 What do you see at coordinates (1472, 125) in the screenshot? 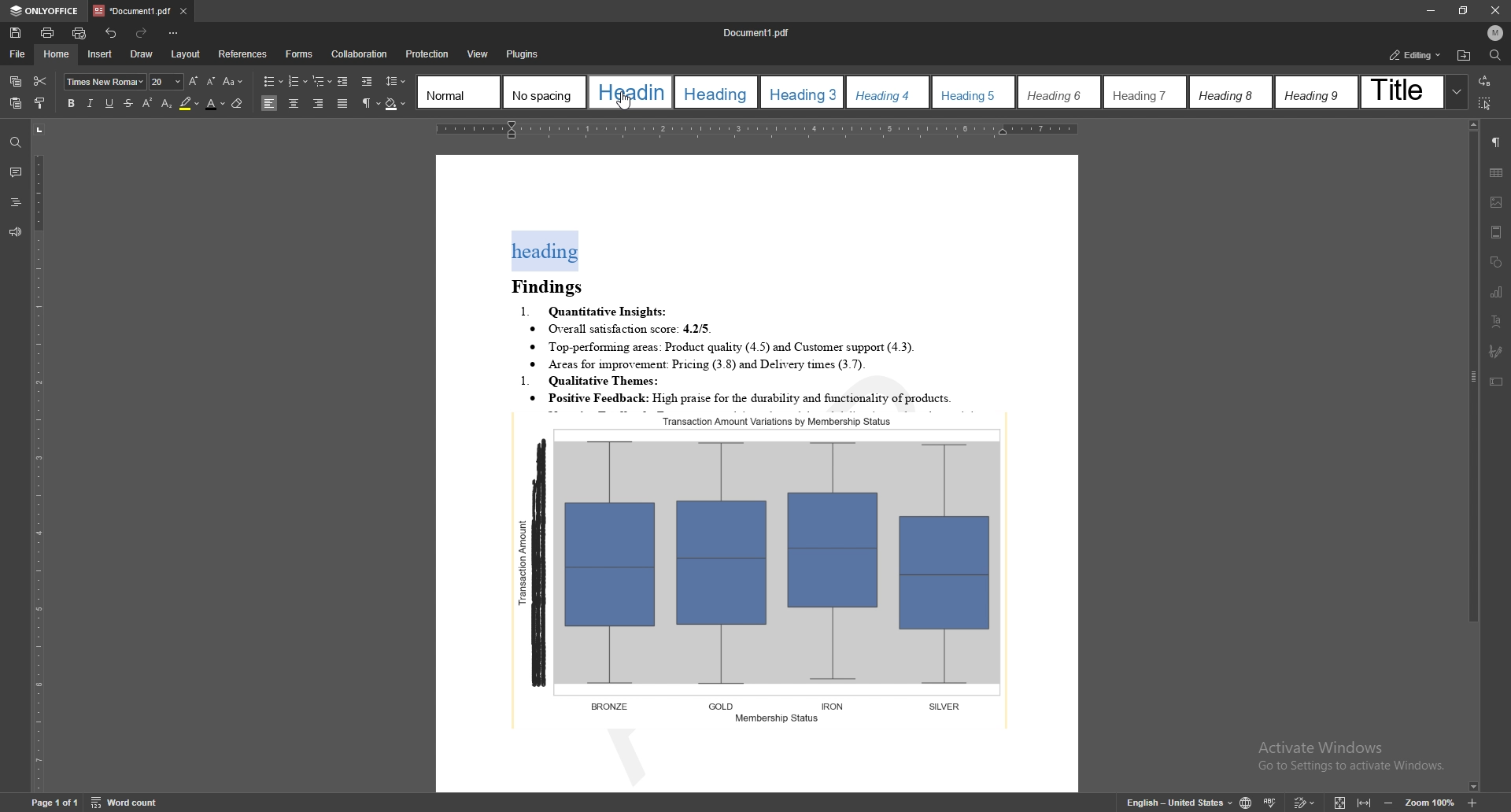
I see `scroll up` at bounding box center [1472, 125].